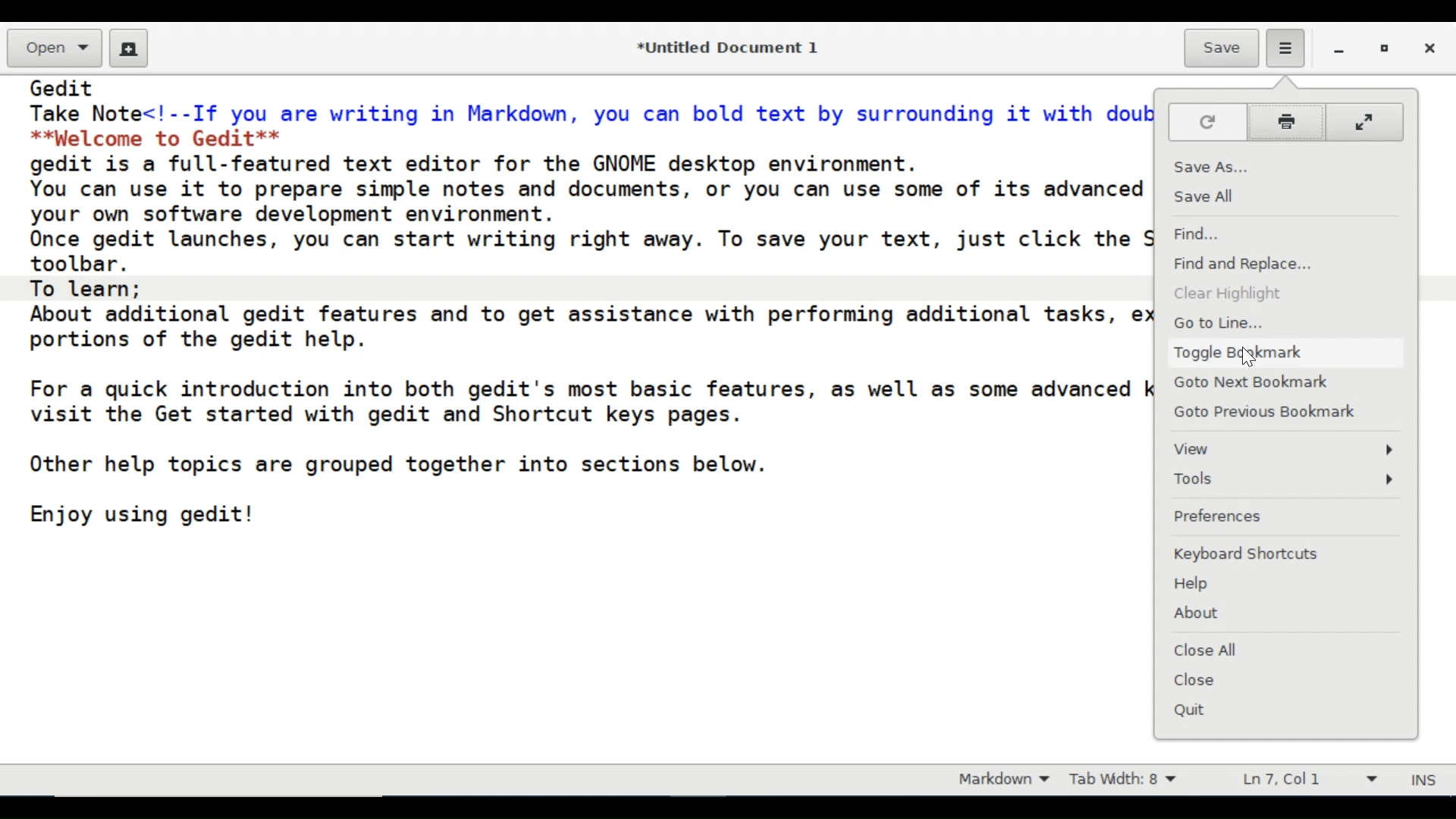  I want to click on Cursor, so click(1249, 354).